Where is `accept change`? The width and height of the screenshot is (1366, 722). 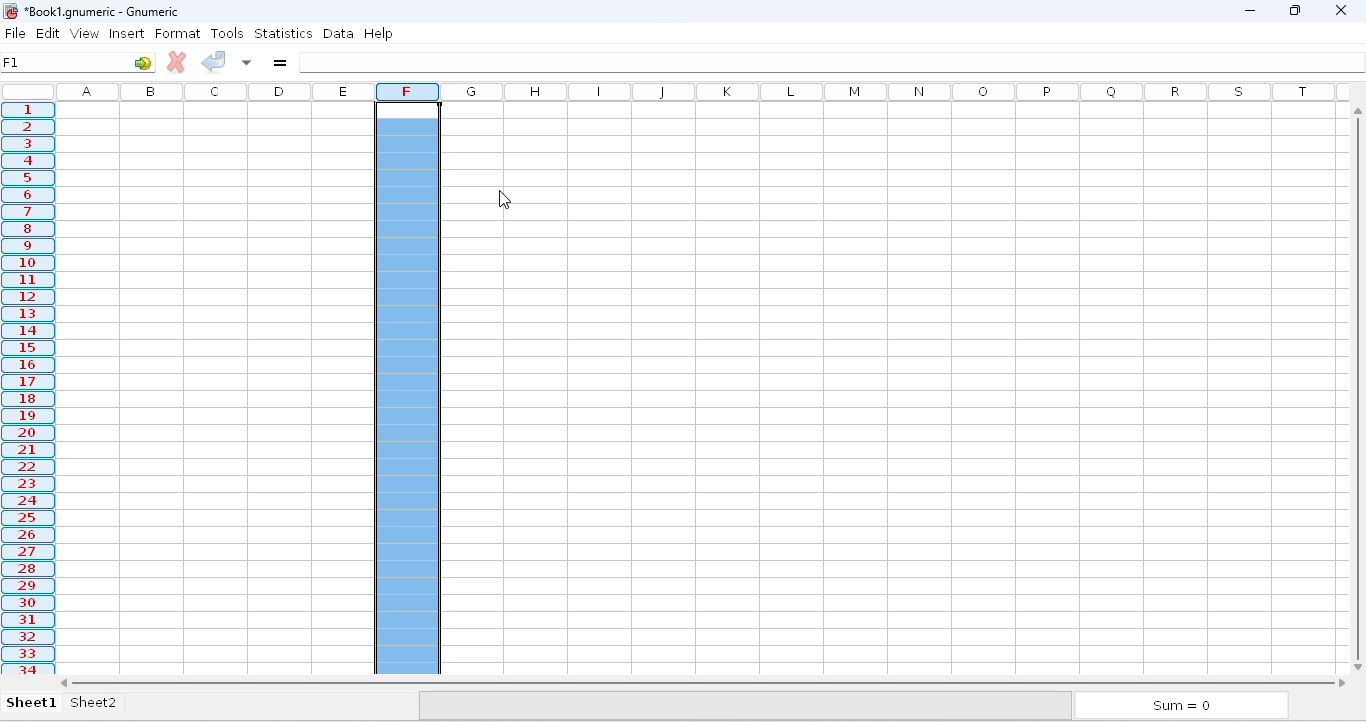
accept change is located at coordinates (213, 61).